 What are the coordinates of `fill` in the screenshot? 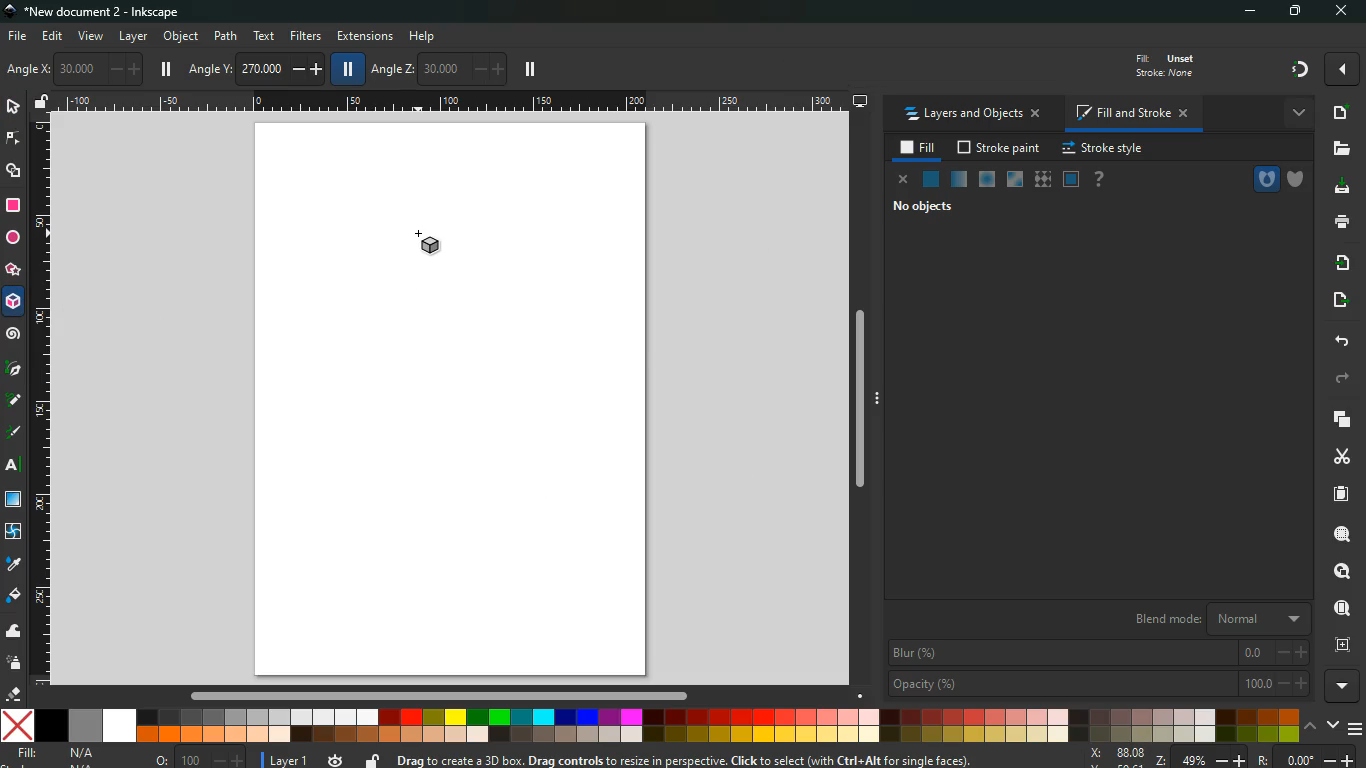 It's located at (919, 148).